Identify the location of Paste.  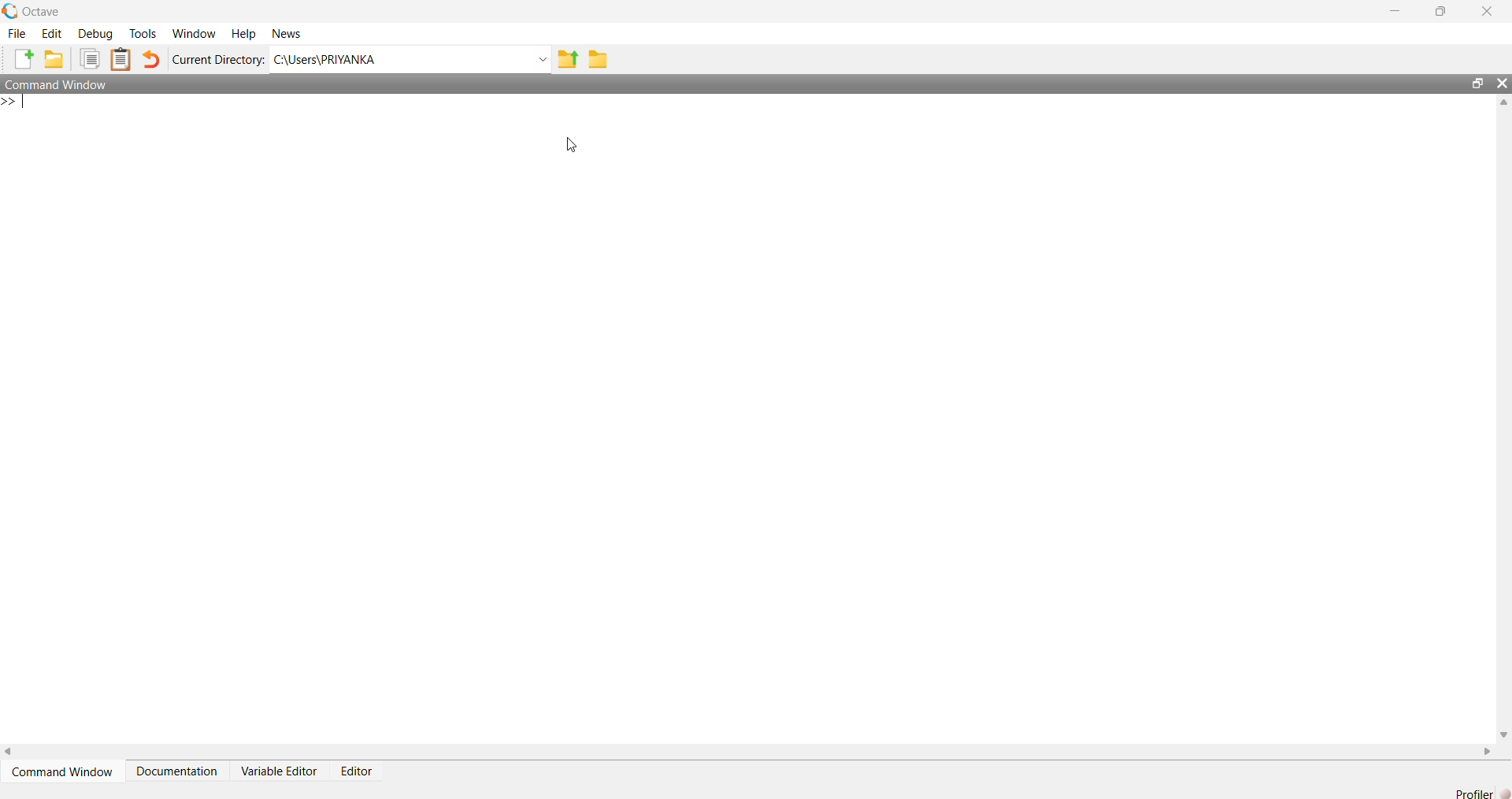
(123, 59).